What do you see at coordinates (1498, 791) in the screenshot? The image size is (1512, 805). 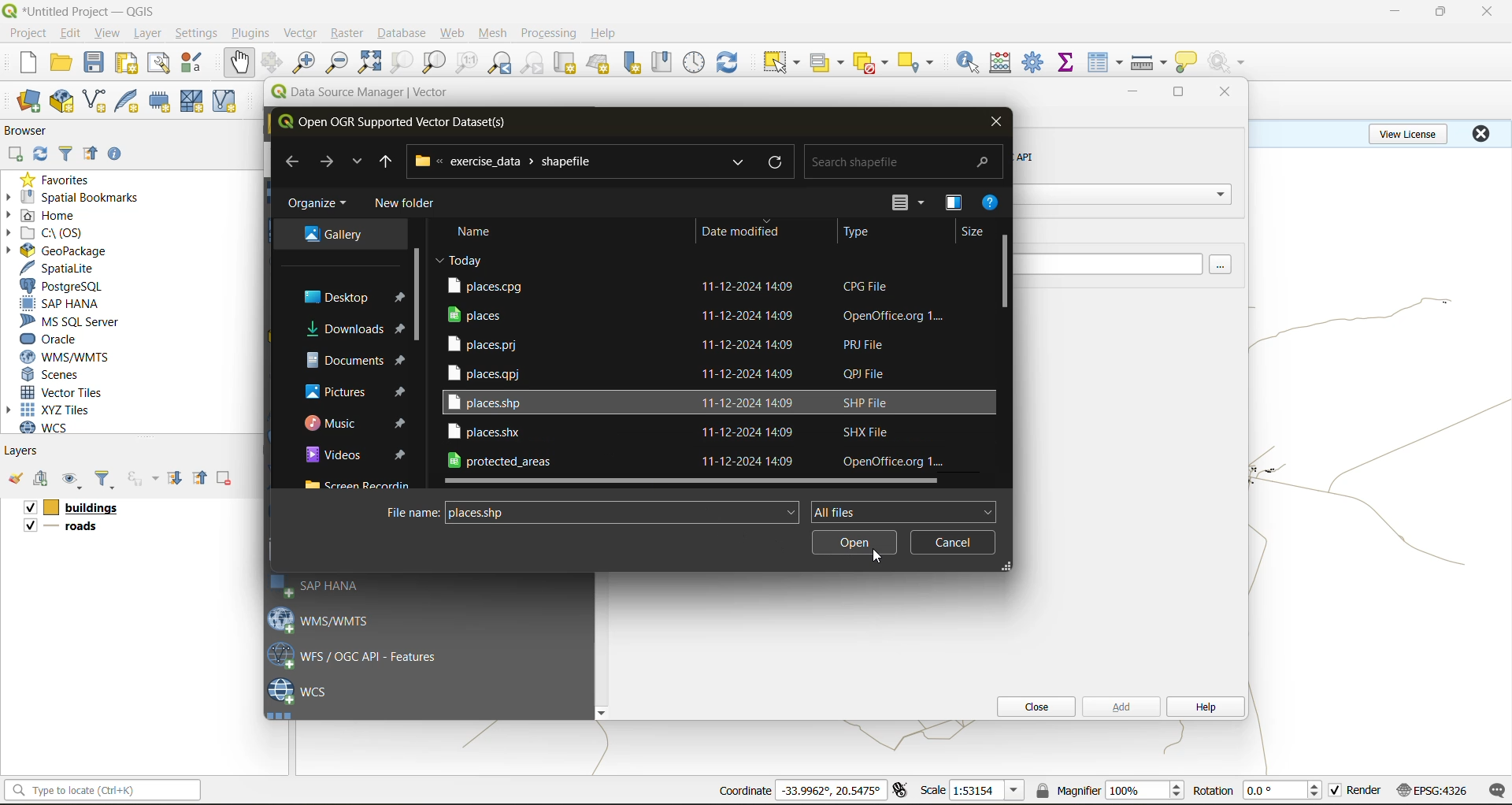 I see `log messages` at bounding box center [1498, 791].